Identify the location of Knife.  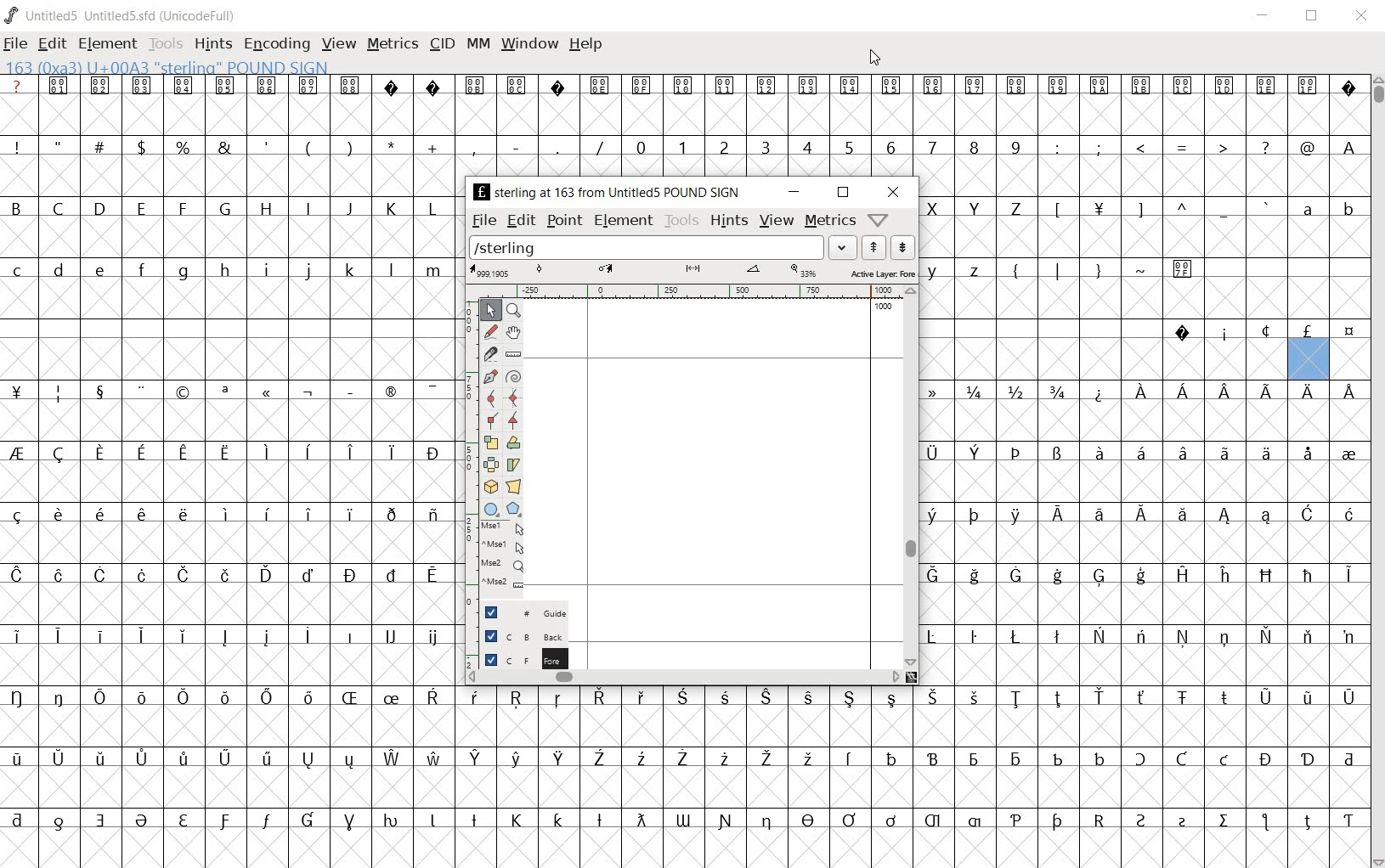
(491, 357).